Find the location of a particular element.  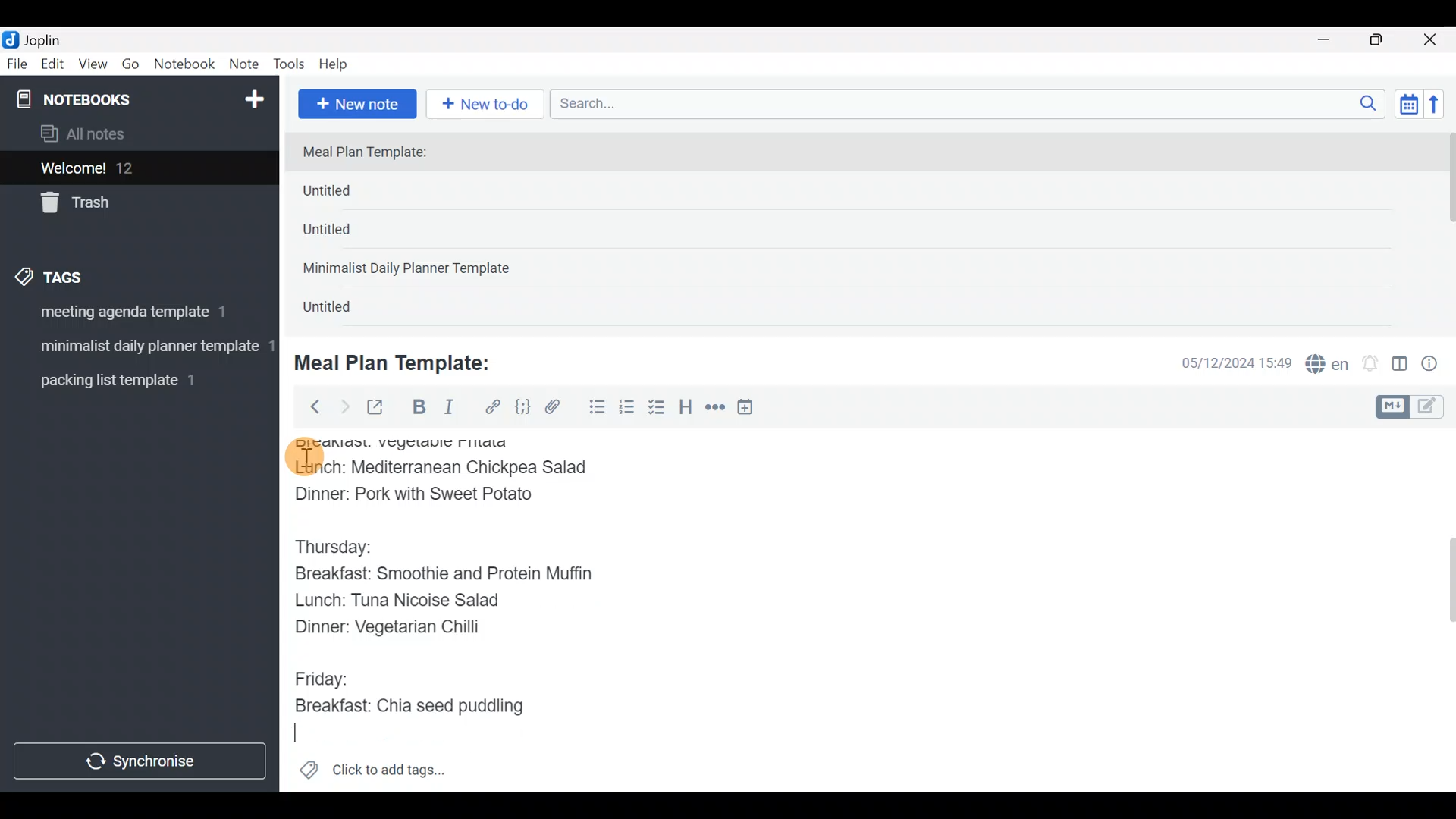

Welcome! is located at coordinates (137, 169).